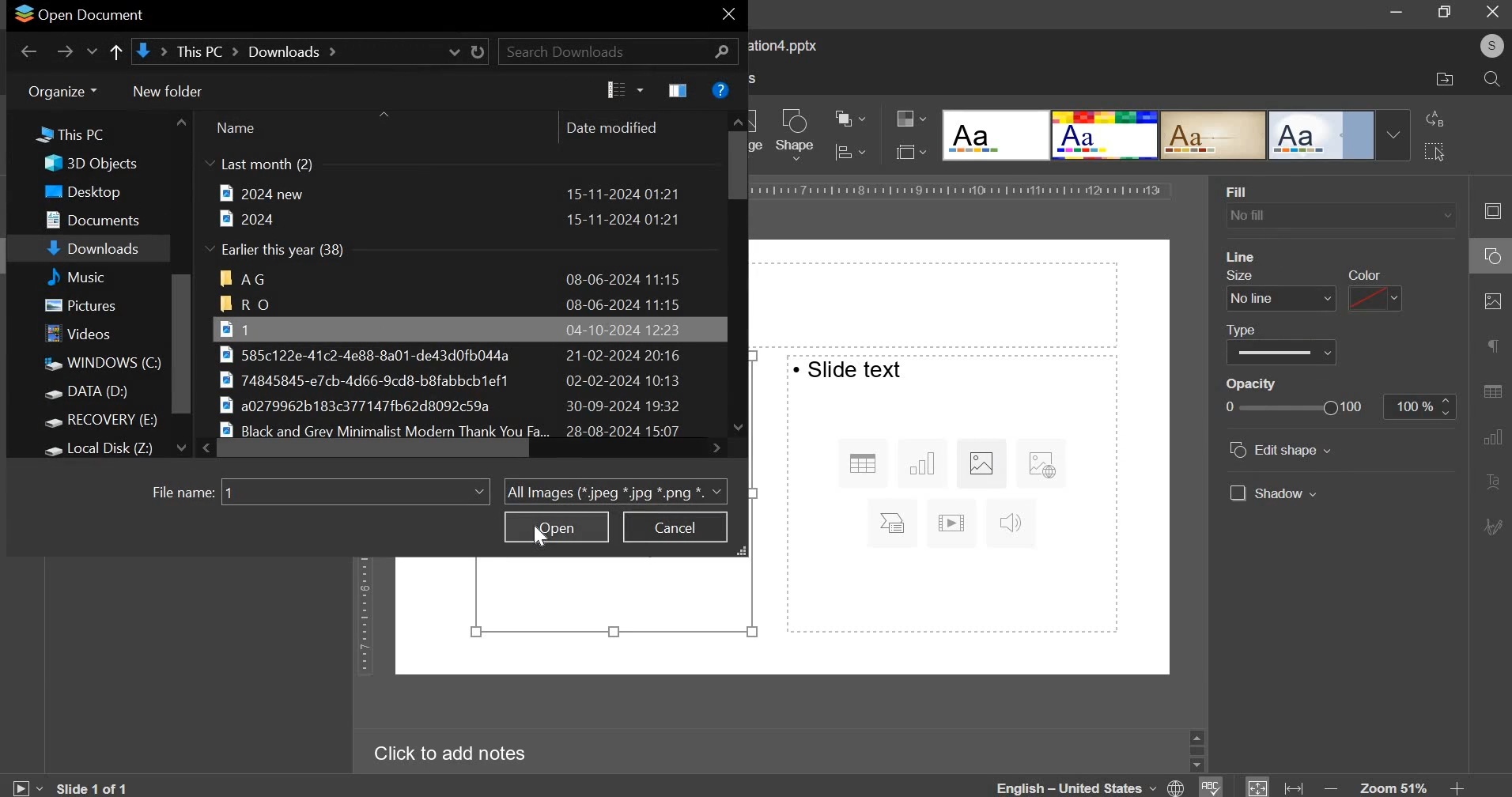  Describe the element at coordinates (1257, 384) in the screenshot. I see `opacity` at that location.